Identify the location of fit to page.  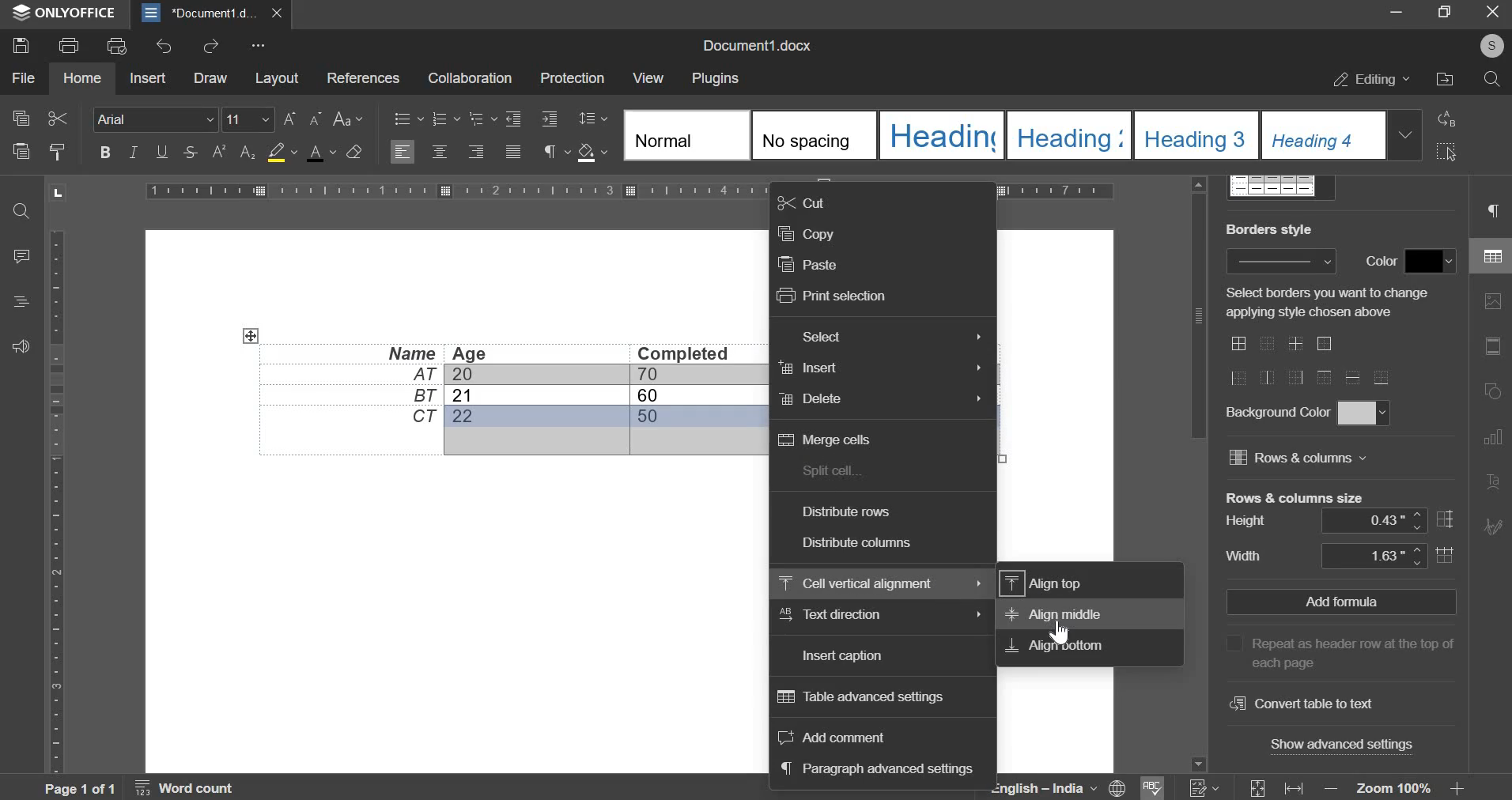
(1255, 787).